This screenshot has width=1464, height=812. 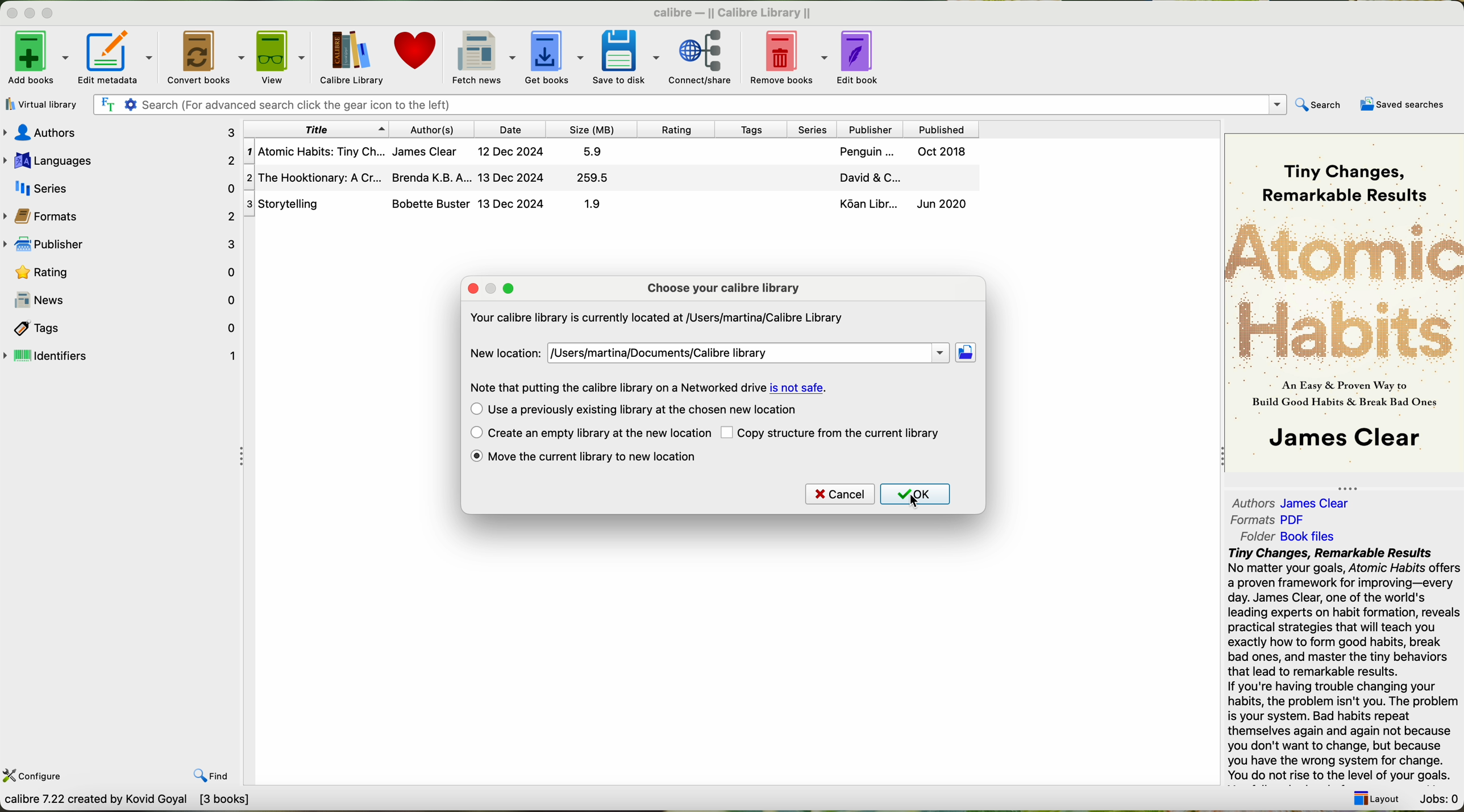 I want to click on search, so click(x=1320, y=105).